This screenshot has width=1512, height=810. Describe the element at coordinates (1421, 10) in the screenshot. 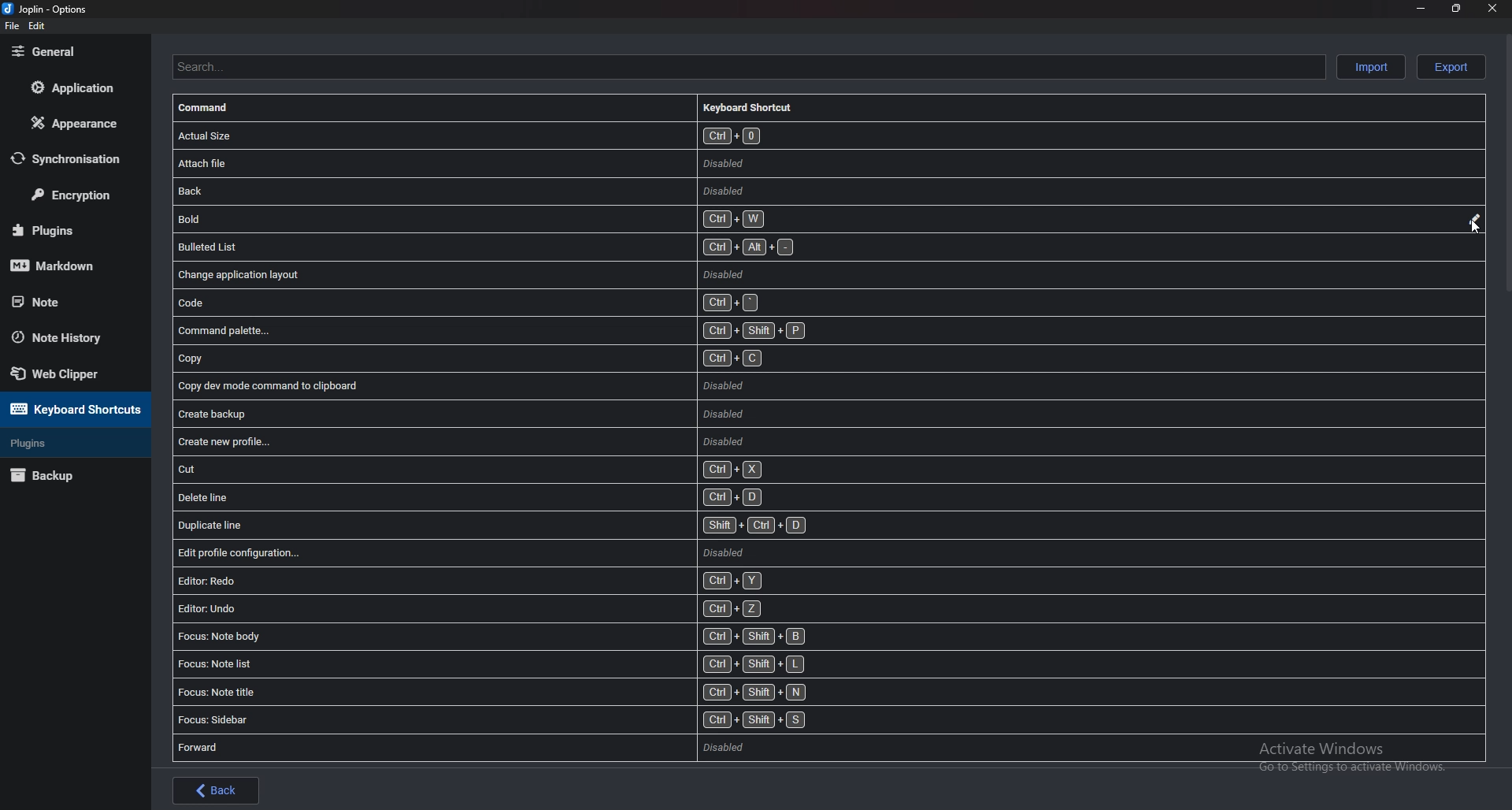

I see `Minimize` at that location.